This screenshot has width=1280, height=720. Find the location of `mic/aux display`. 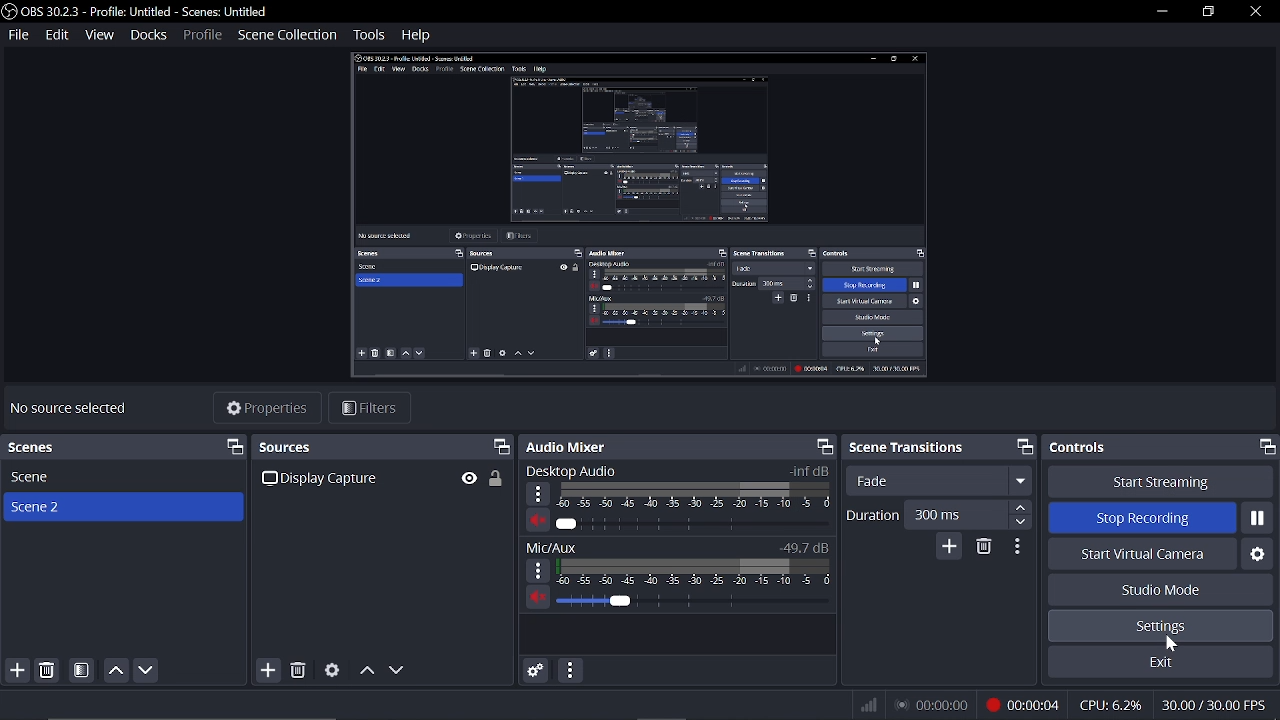

mic/aux display is located at coordinates (695, 569).